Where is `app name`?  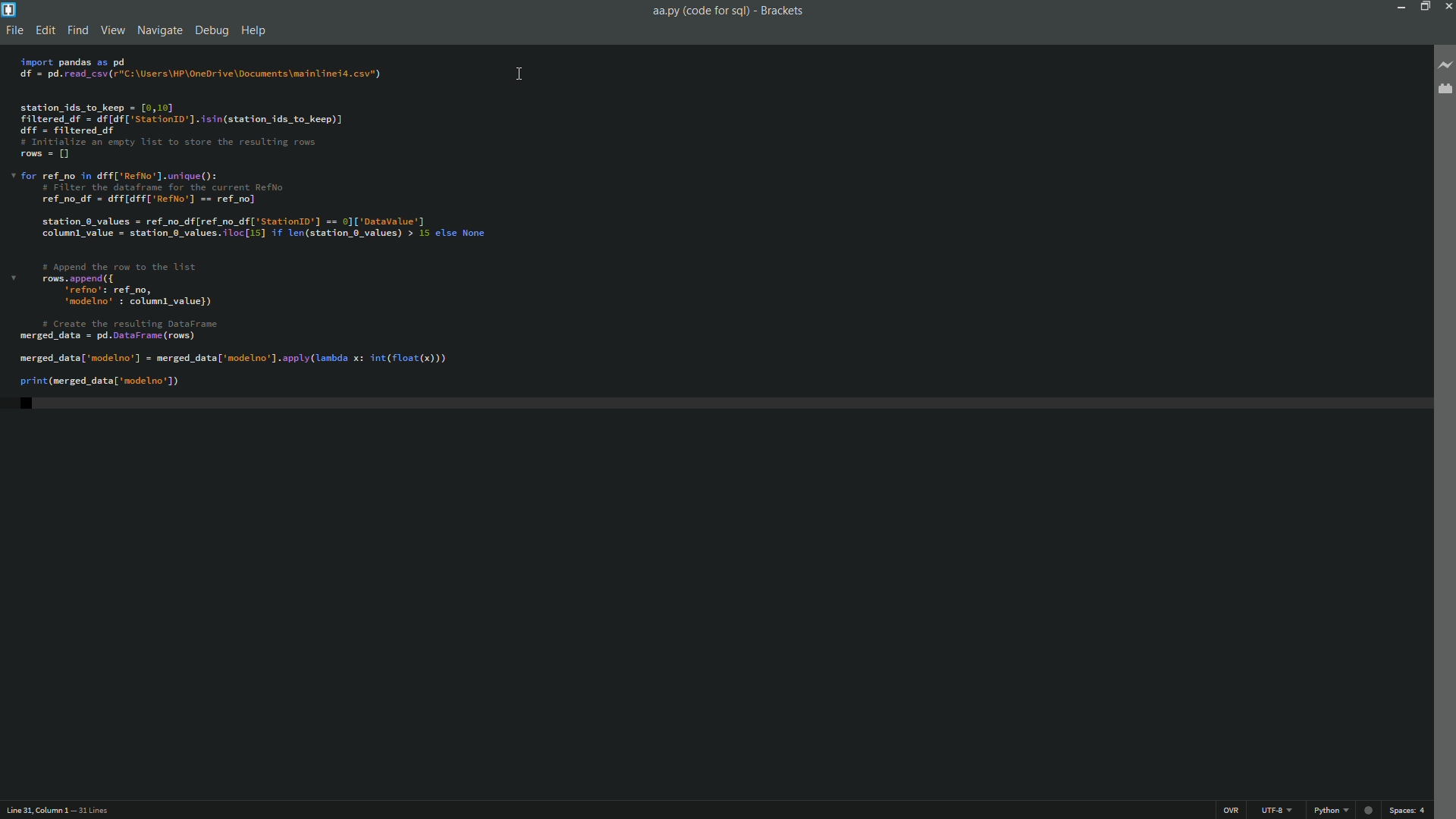 app name is located at coordinates (783, 9).